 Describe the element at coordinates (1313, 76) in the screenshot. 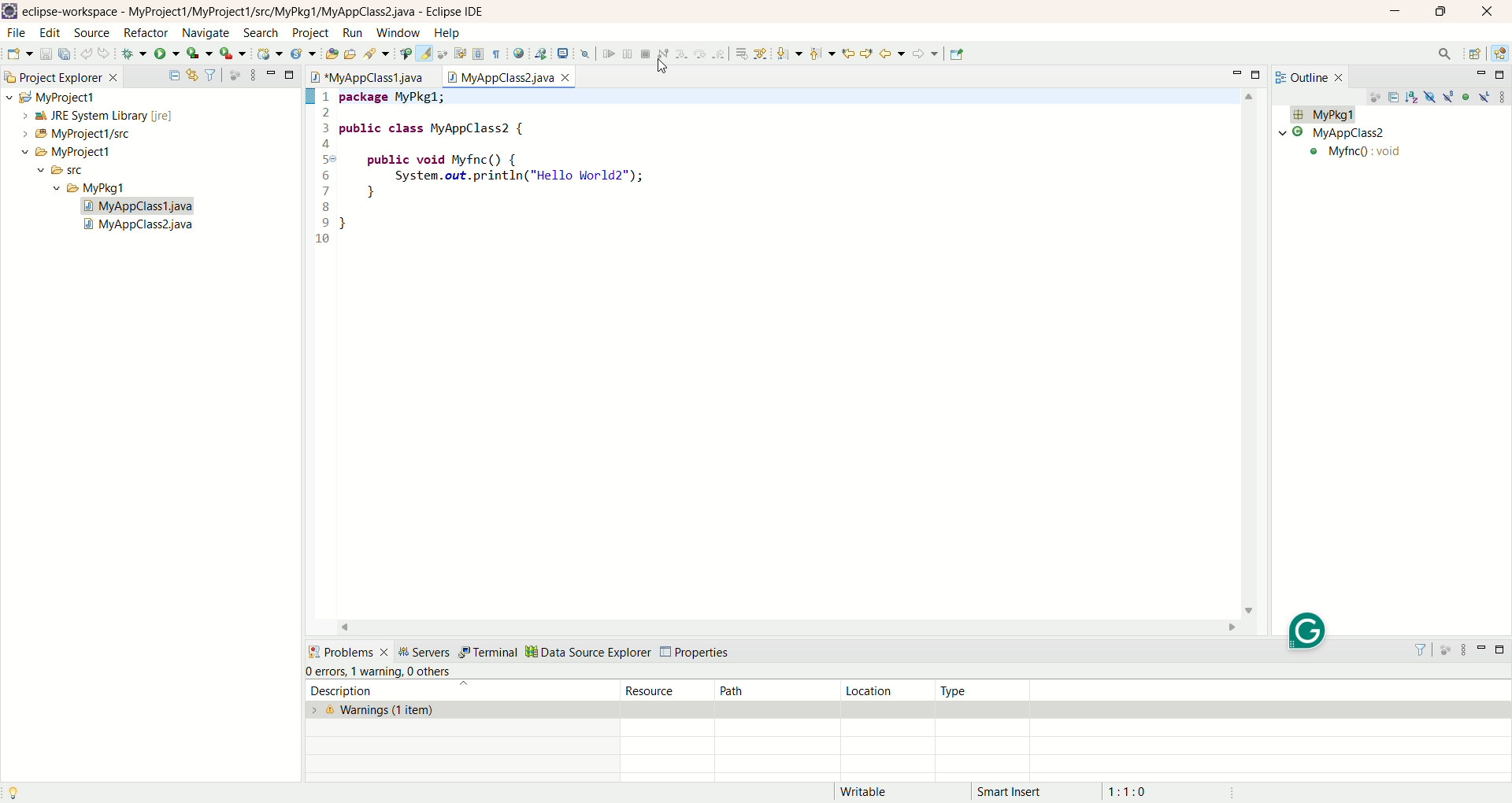

I see `outline` at that location.